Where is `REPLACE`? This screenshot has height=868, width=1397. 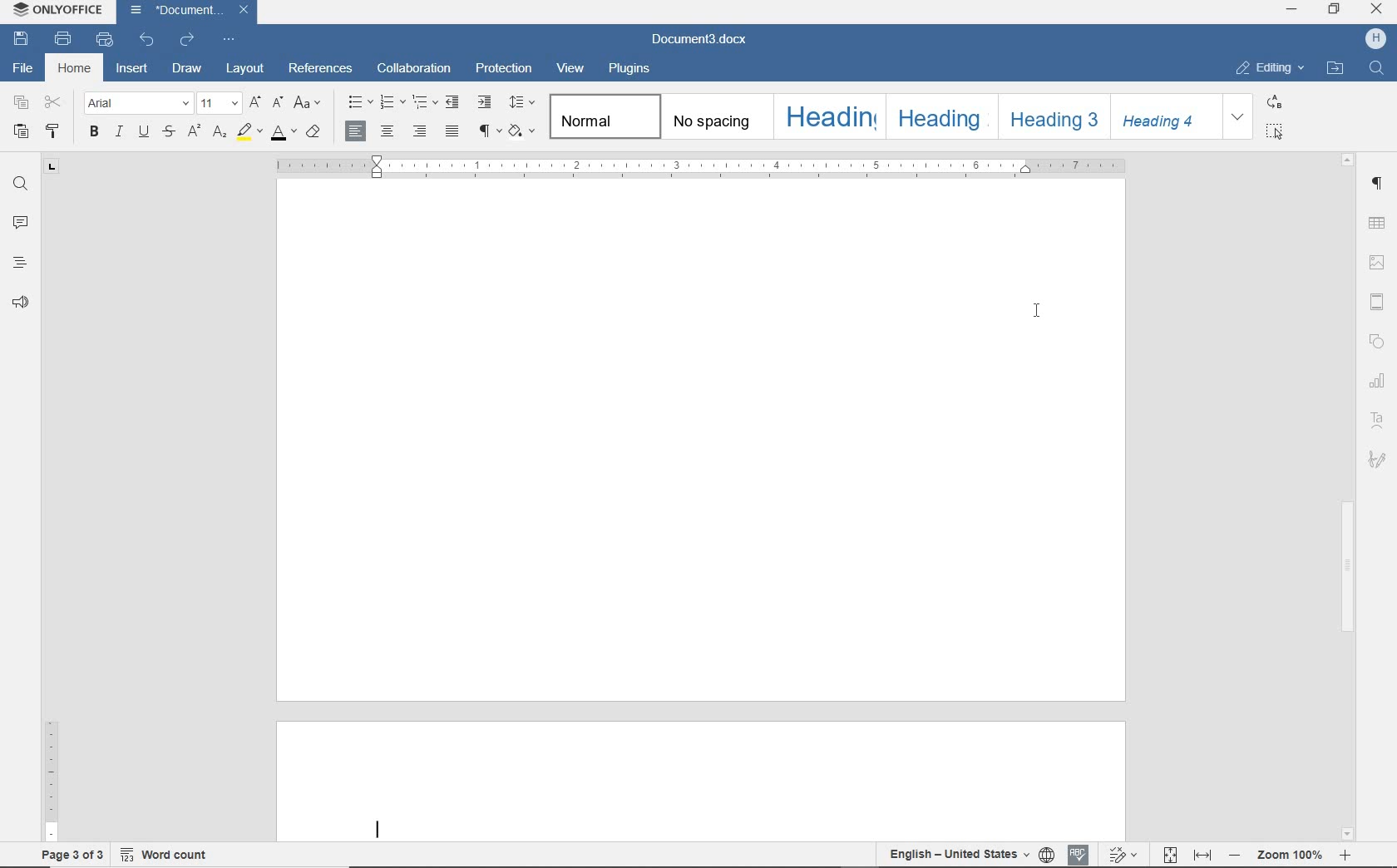 REPLACE is located at coordinates (1284, 101).